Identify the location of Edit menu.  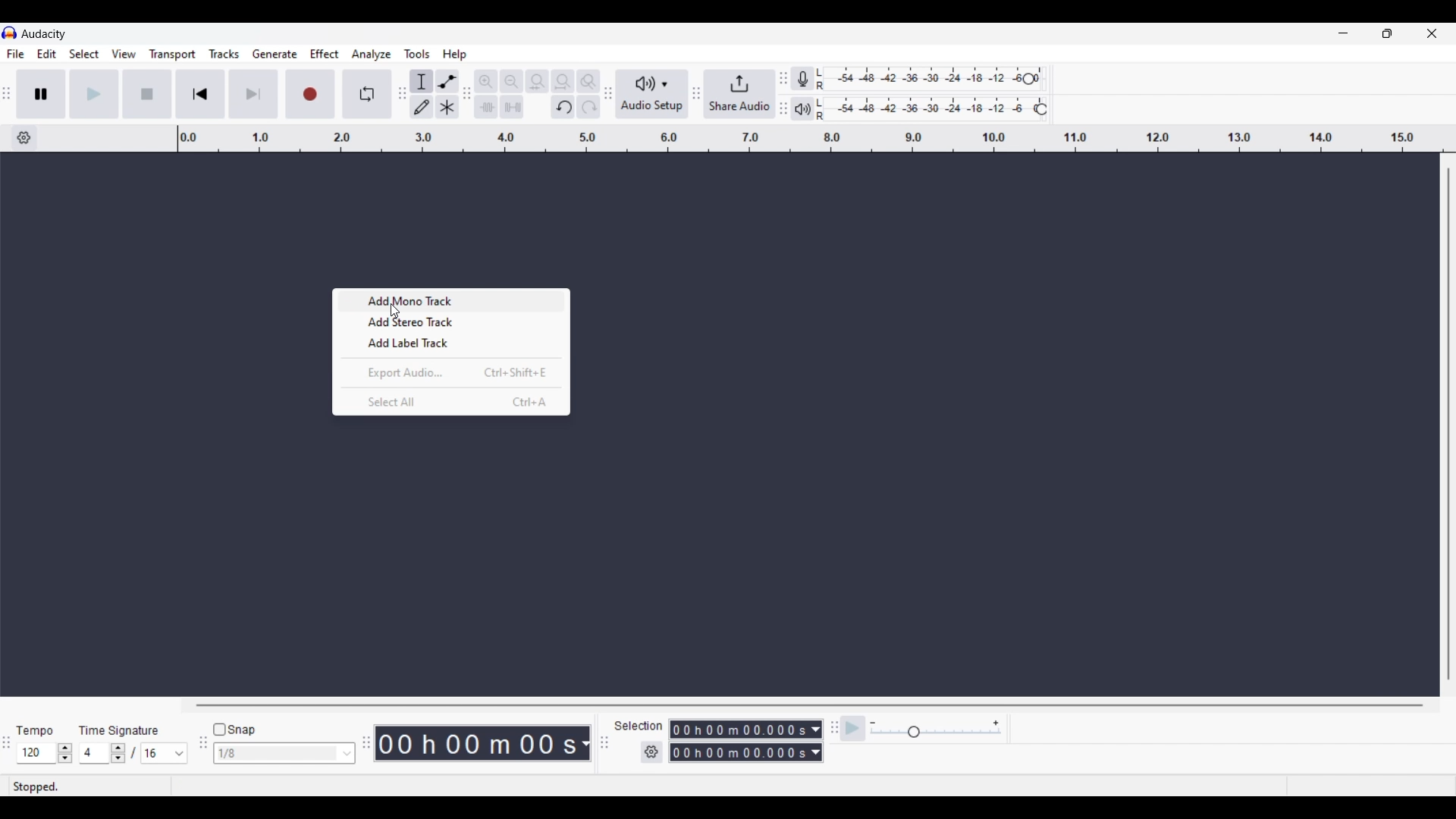
(47, 55).